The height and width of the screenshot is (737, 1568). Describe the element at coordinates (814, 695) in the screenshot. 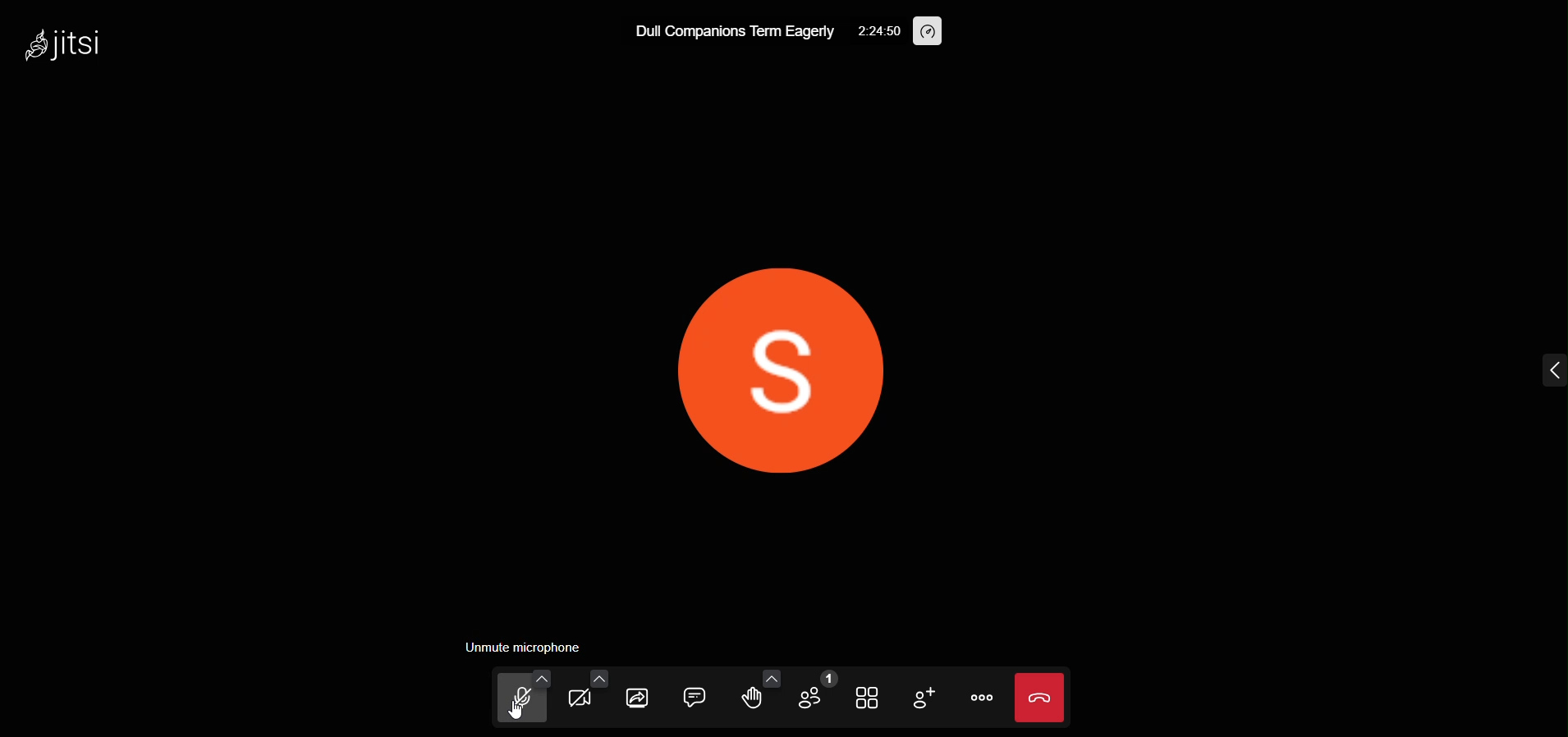

I see `participants` at that location.